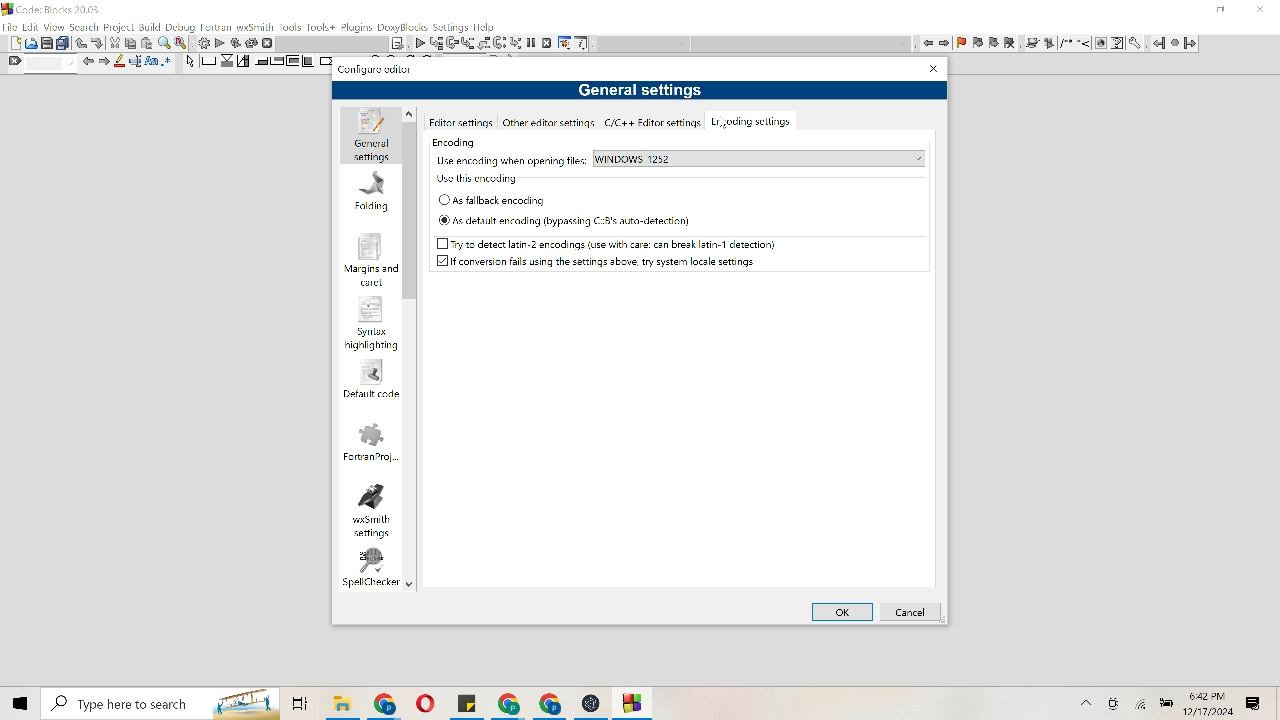 Image resolution: width=1280 pixels, height=720 pixels. What do you see at coordinates (356, 27) in the screenshot?
I see `Plugins` at bounding box center [356, 27].